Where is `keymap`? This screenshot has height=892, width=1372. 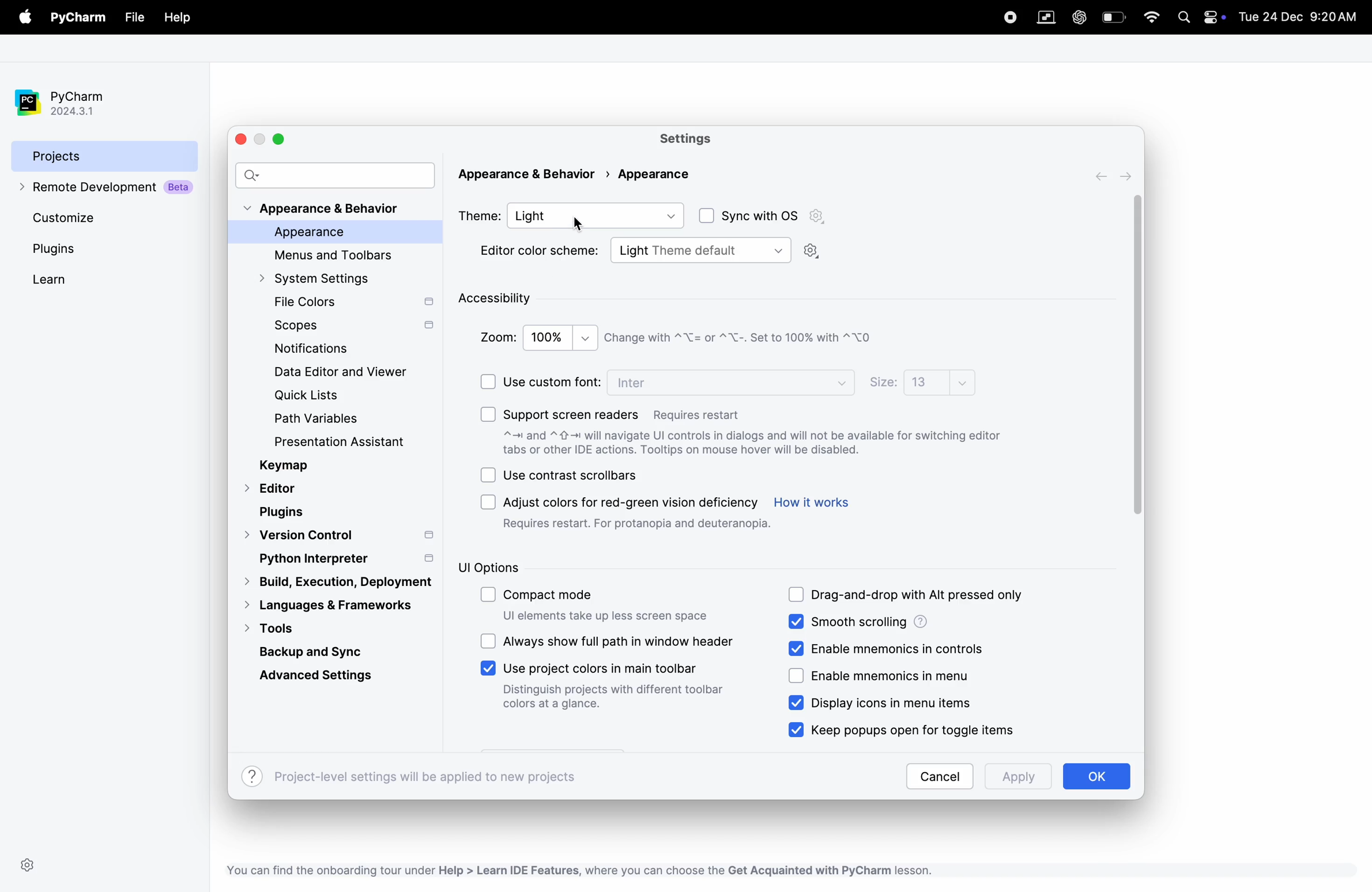 keymap is located at coordinates (287, 466).